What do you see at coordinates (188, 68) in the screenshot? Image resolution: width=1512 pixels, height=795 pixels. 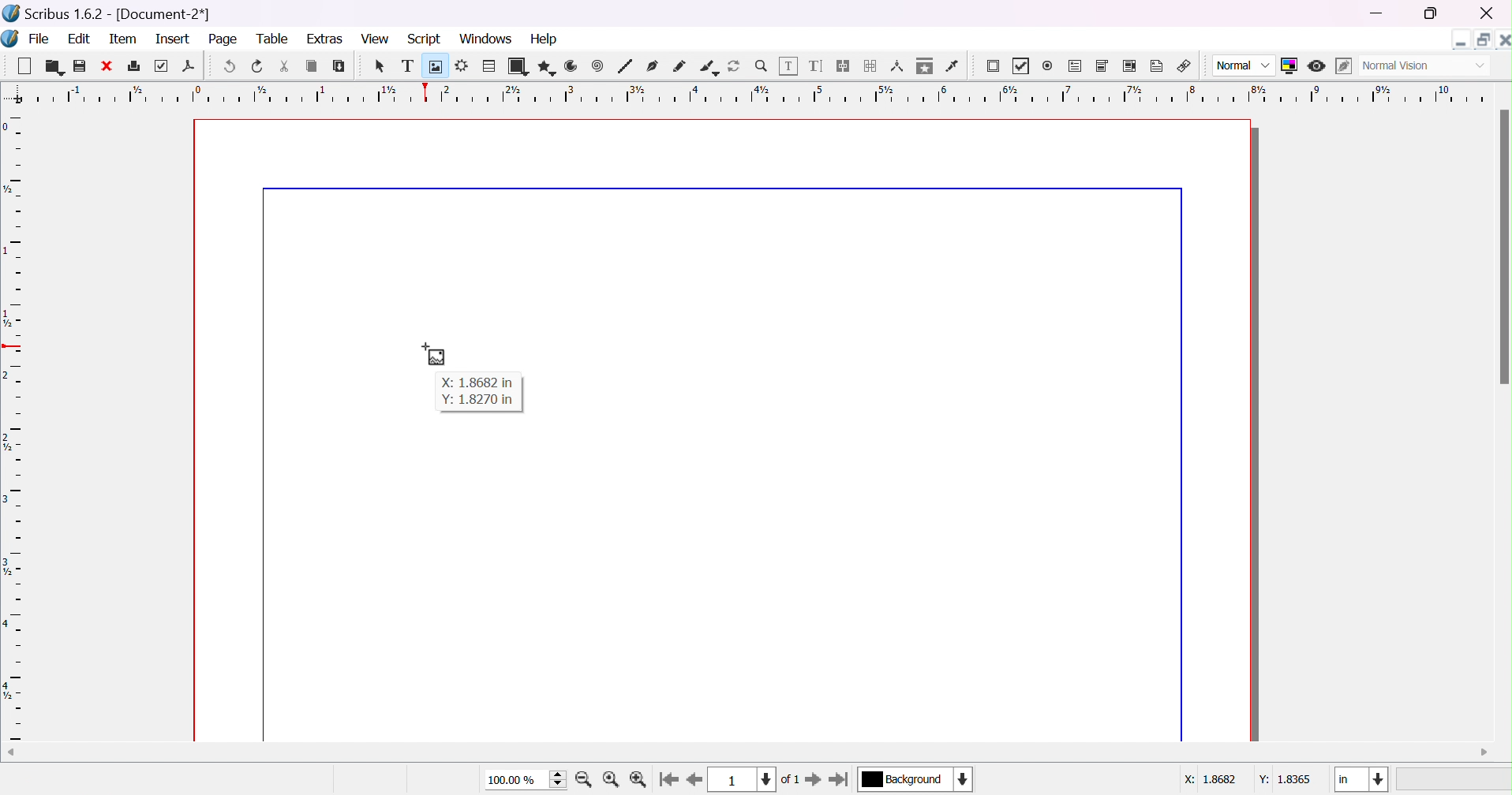 I see `save as PDF` at bounding box center [188, 68].